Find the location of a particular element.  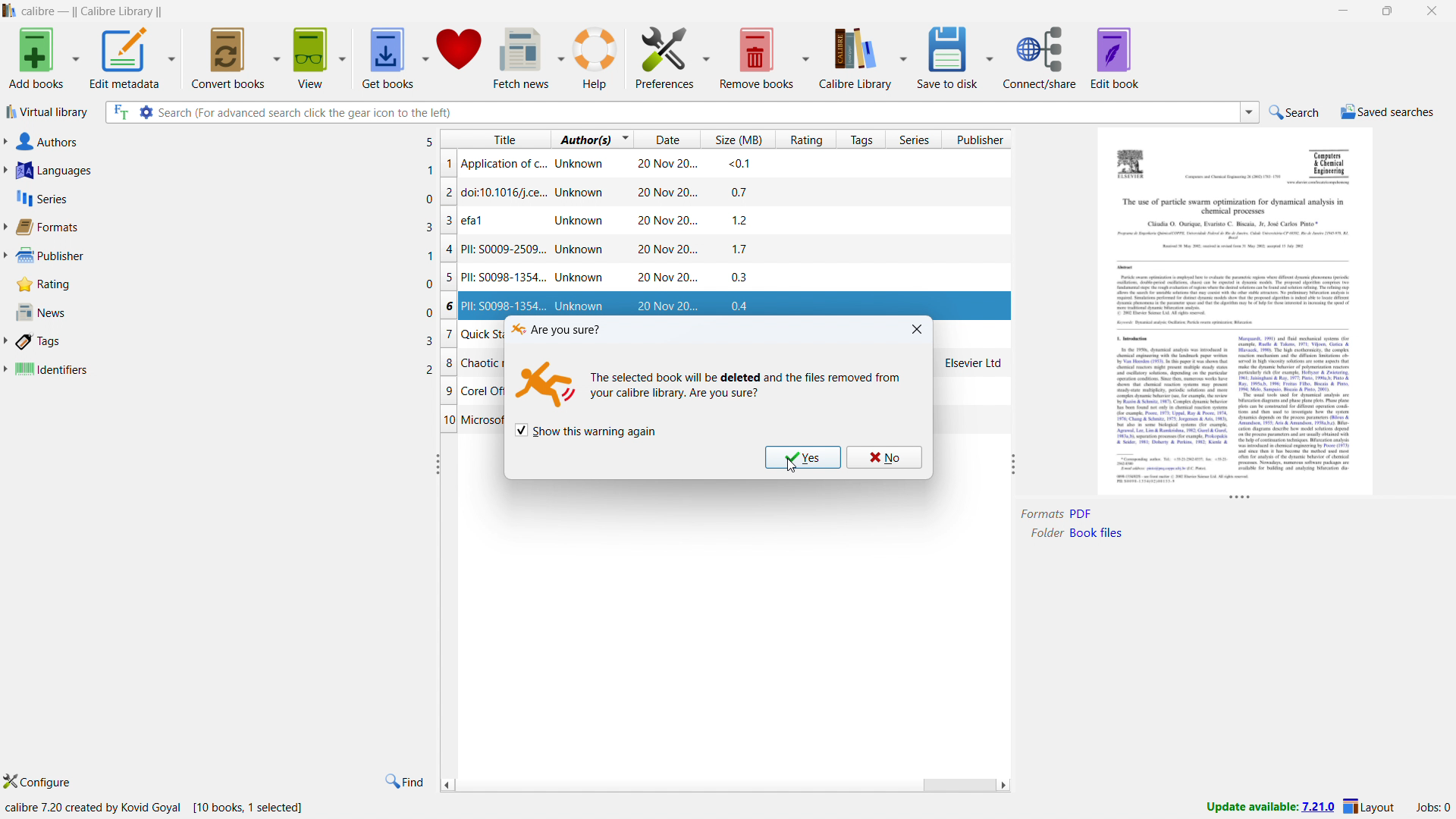

resize is located at coordinates (1015, 463).